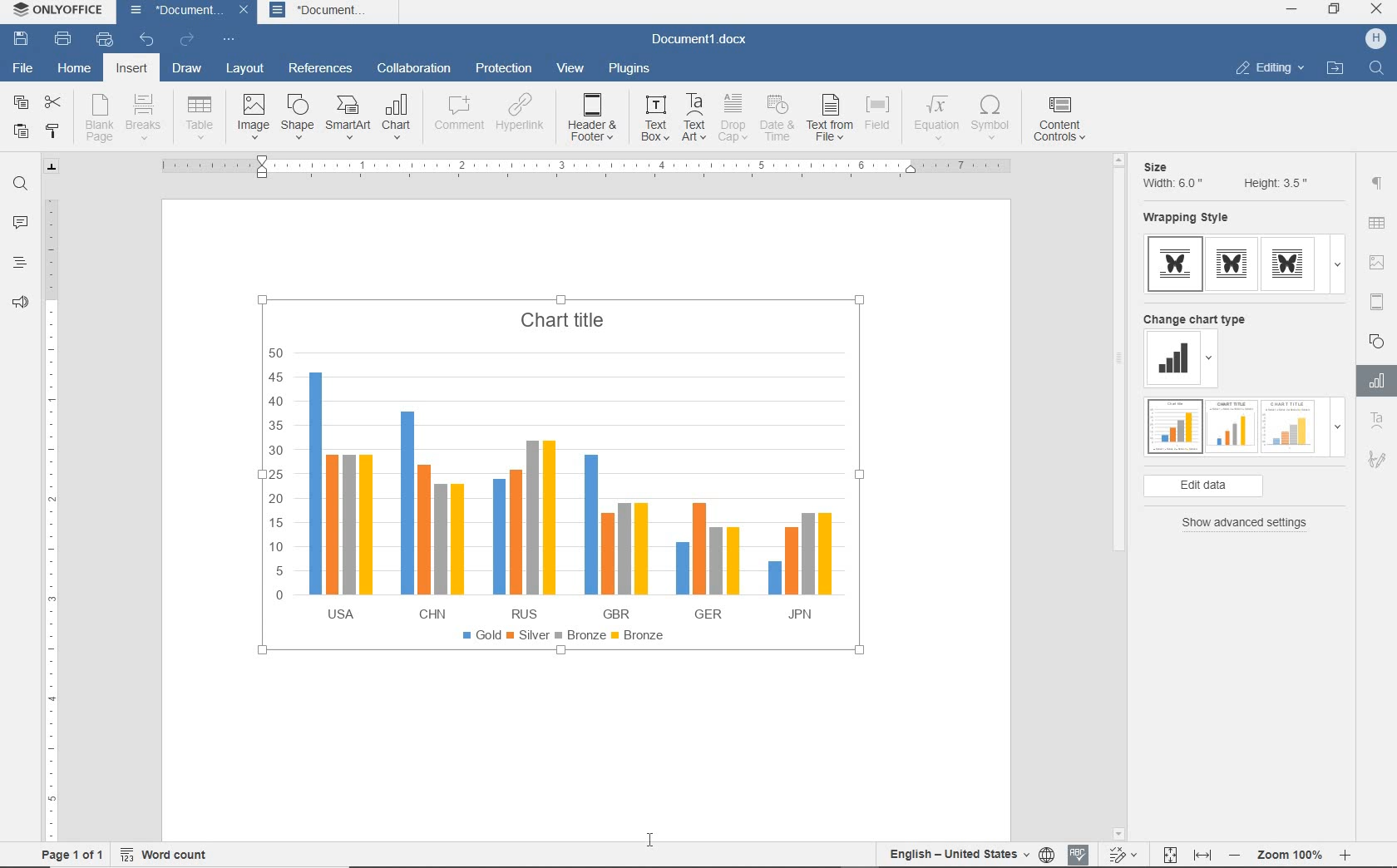 The image size is (1397, 868). I want to click on chart, so click(565, 482).